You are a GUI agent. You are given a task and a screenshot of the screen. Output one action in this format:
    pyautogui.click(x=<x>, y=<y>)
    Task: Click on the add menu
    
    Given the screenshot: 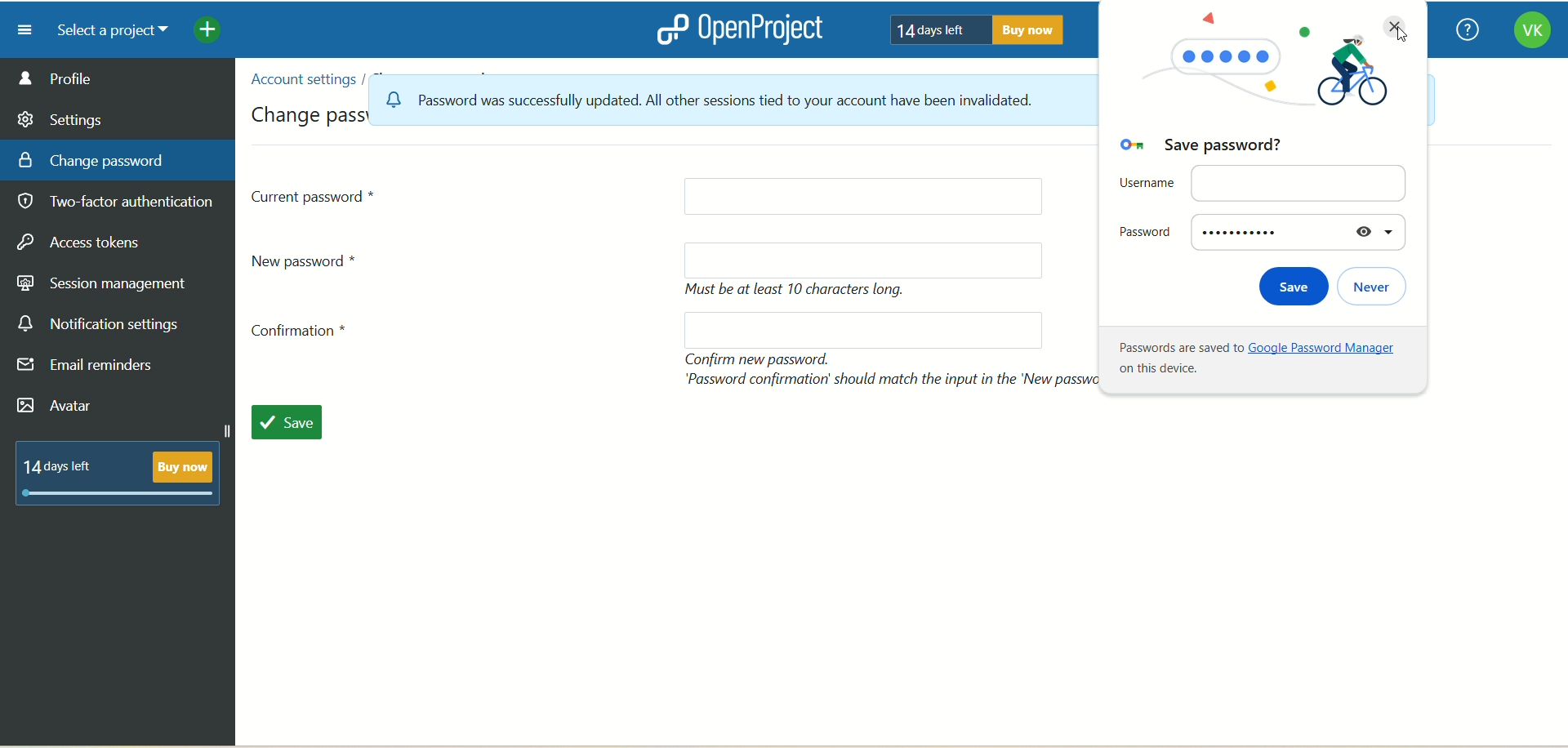 What is the action you would take?
    pyautogui.click(x=209, y=32)
    